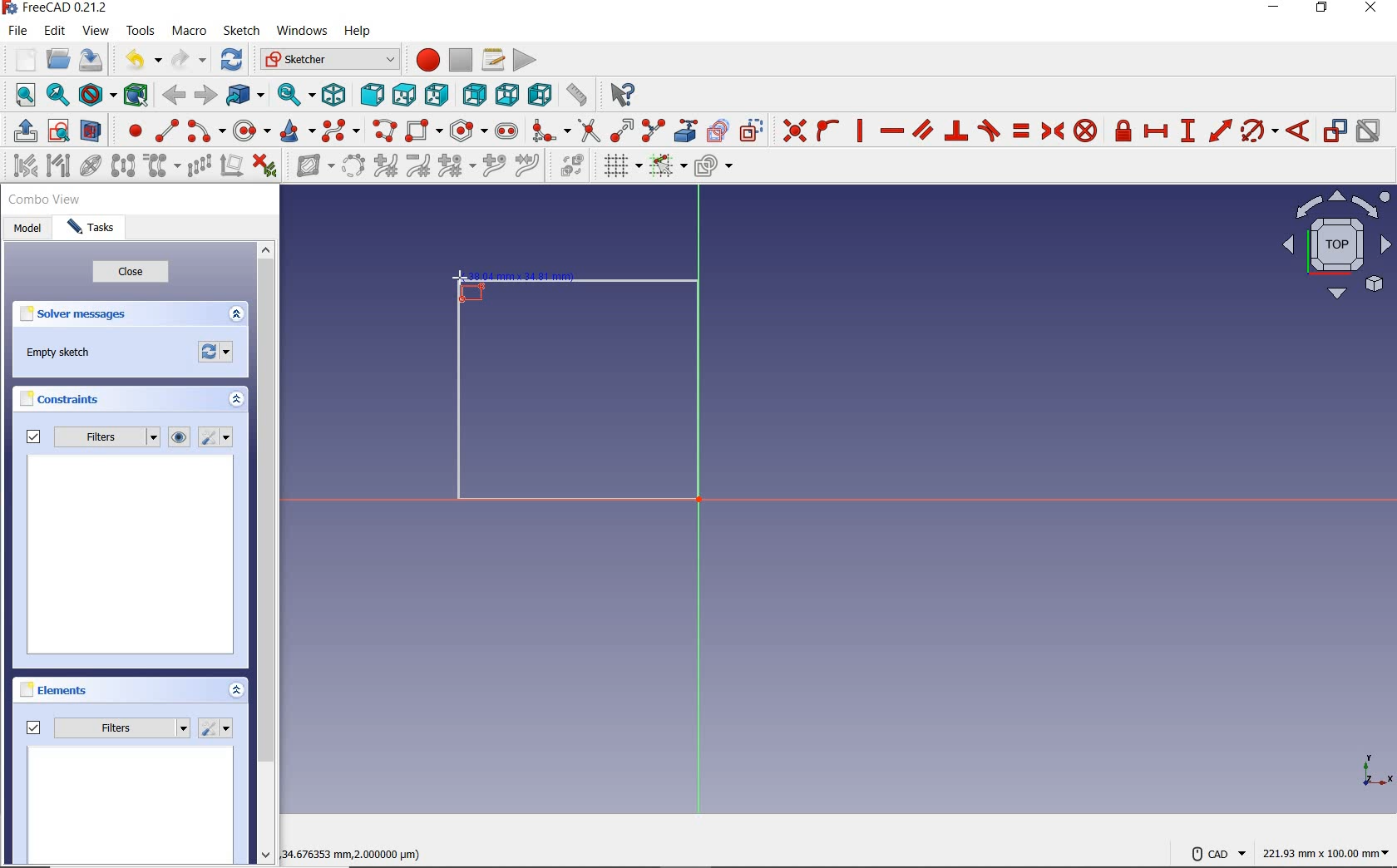 The width and height of the screenshot is (1397, 868). What do you see at coordinates (21, 131) in the screenshot?
I see `leave sketch` at bounding box center [21, 131].